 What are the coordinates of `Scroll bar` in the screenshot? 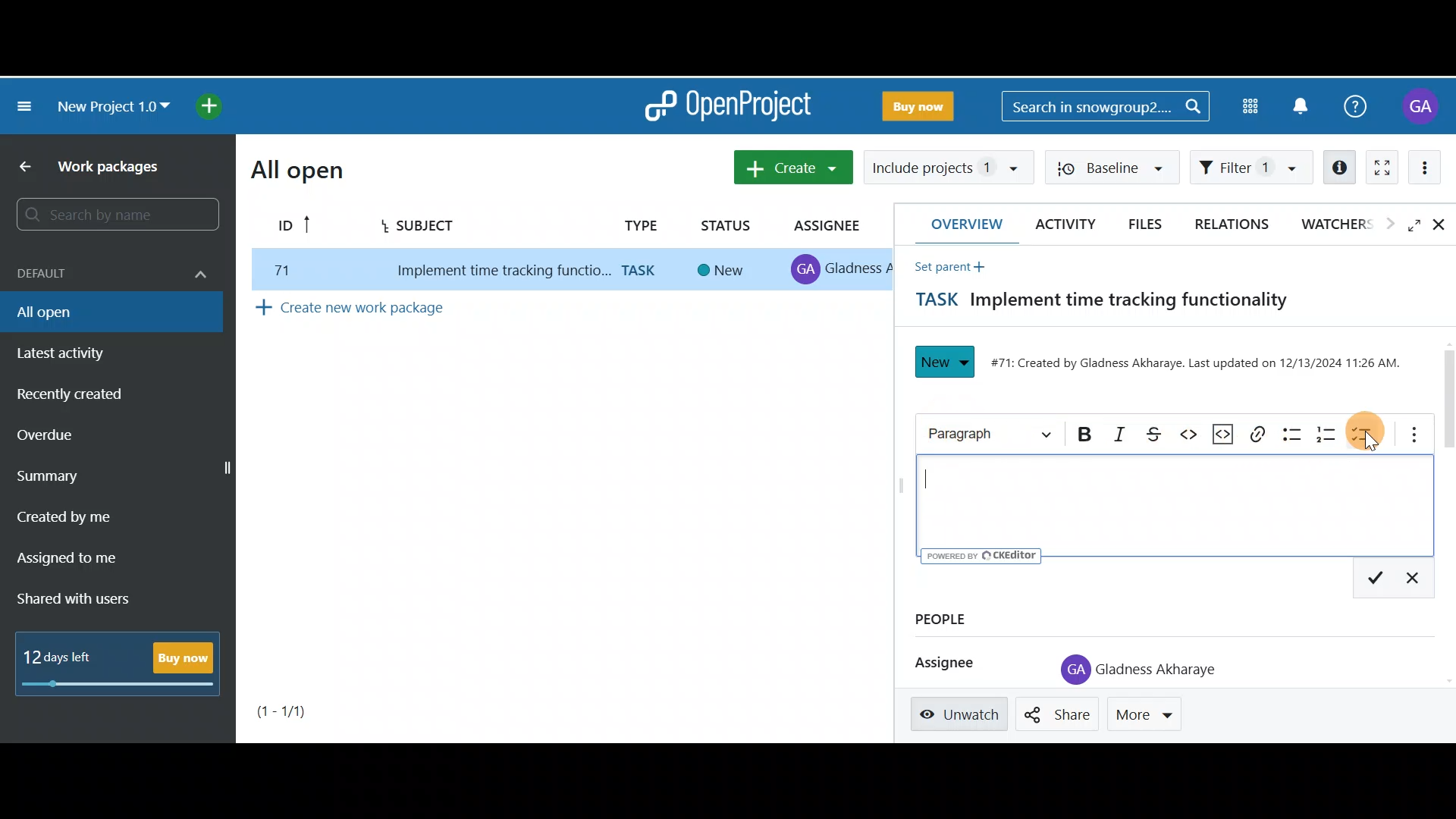 It's located at (1447, 394).